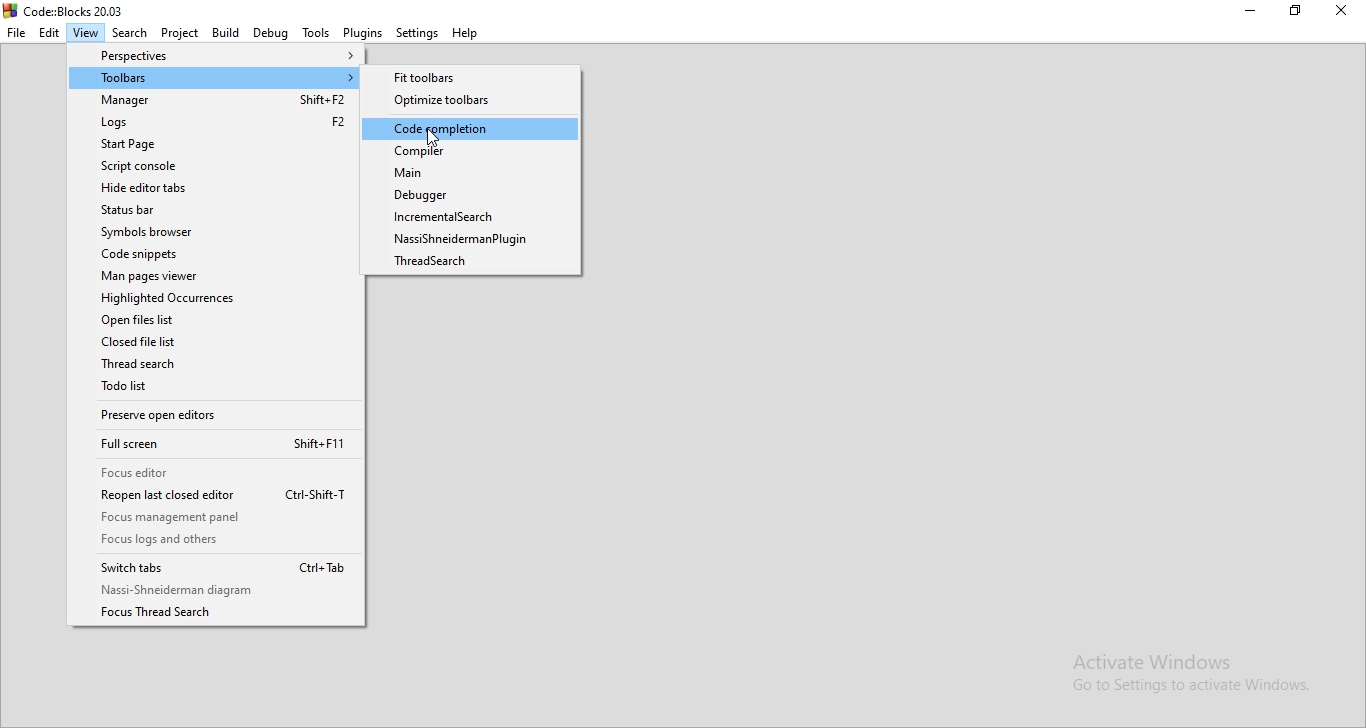  I want to click on Symbols browser, so click(213, 233).